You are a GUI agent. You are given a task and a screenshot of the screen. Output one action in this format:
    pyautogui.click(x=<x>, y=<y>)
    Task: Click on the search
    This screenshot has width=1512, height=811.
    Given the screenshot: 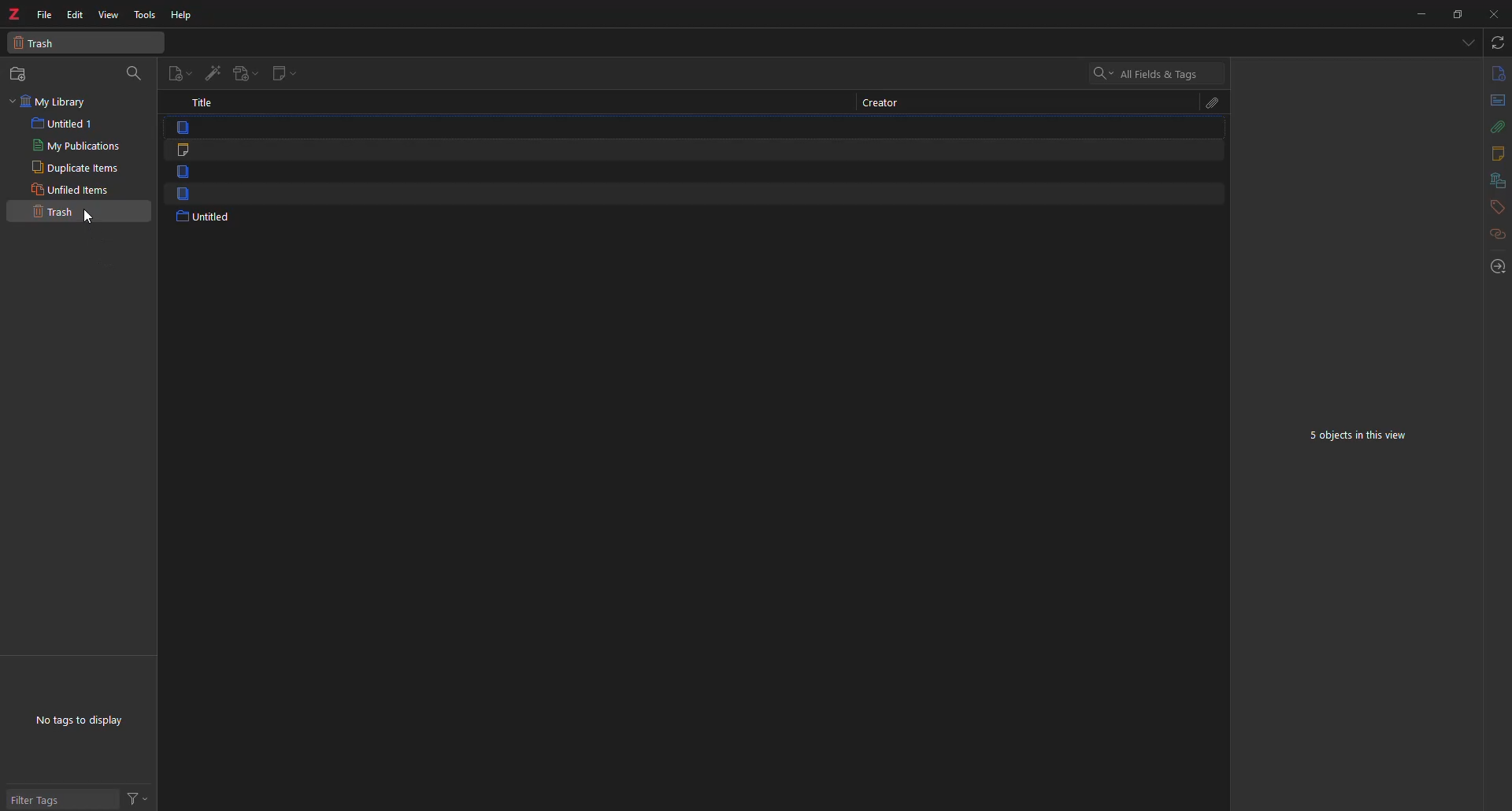 What is the action you would take?
    pyautogui.click(x=134, y=72)
    